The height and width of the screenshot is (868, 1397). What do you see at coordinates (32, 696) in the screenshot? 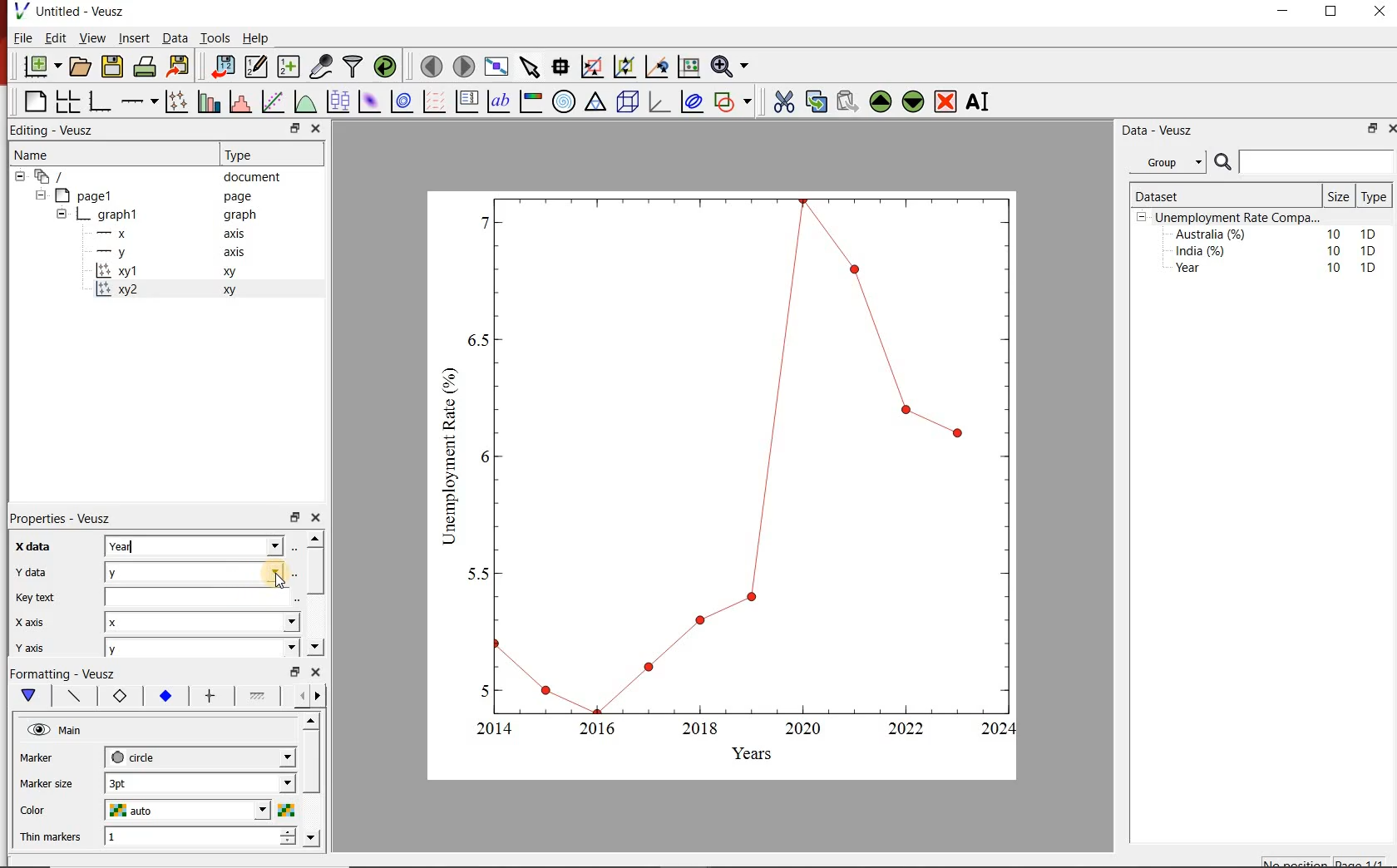
I see `main` at bounding box center [32, 696].